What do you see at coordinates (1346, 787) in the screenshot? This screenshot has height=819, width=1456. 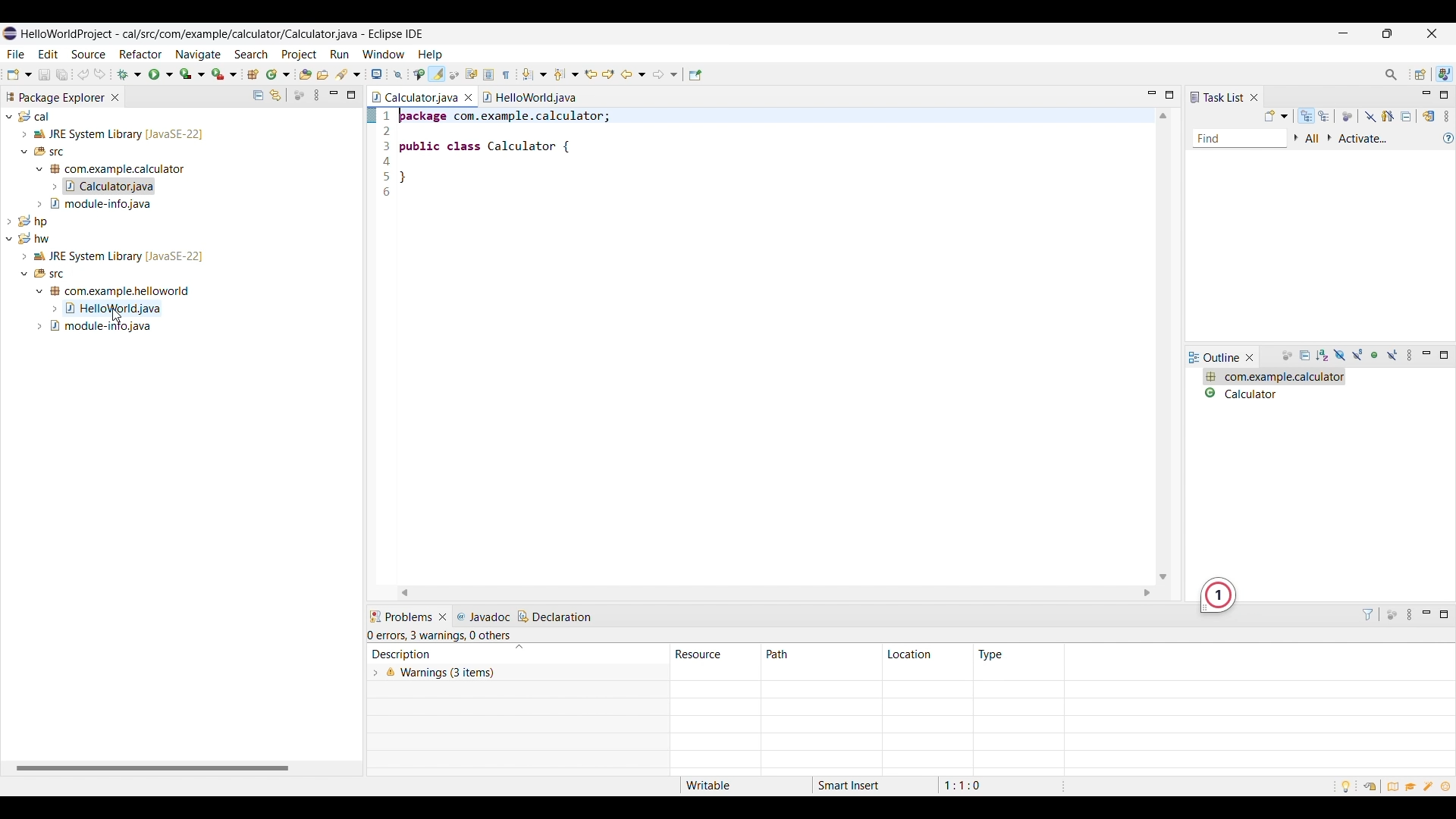 I see `Tip of the day` at bounding box center [1346, 787].